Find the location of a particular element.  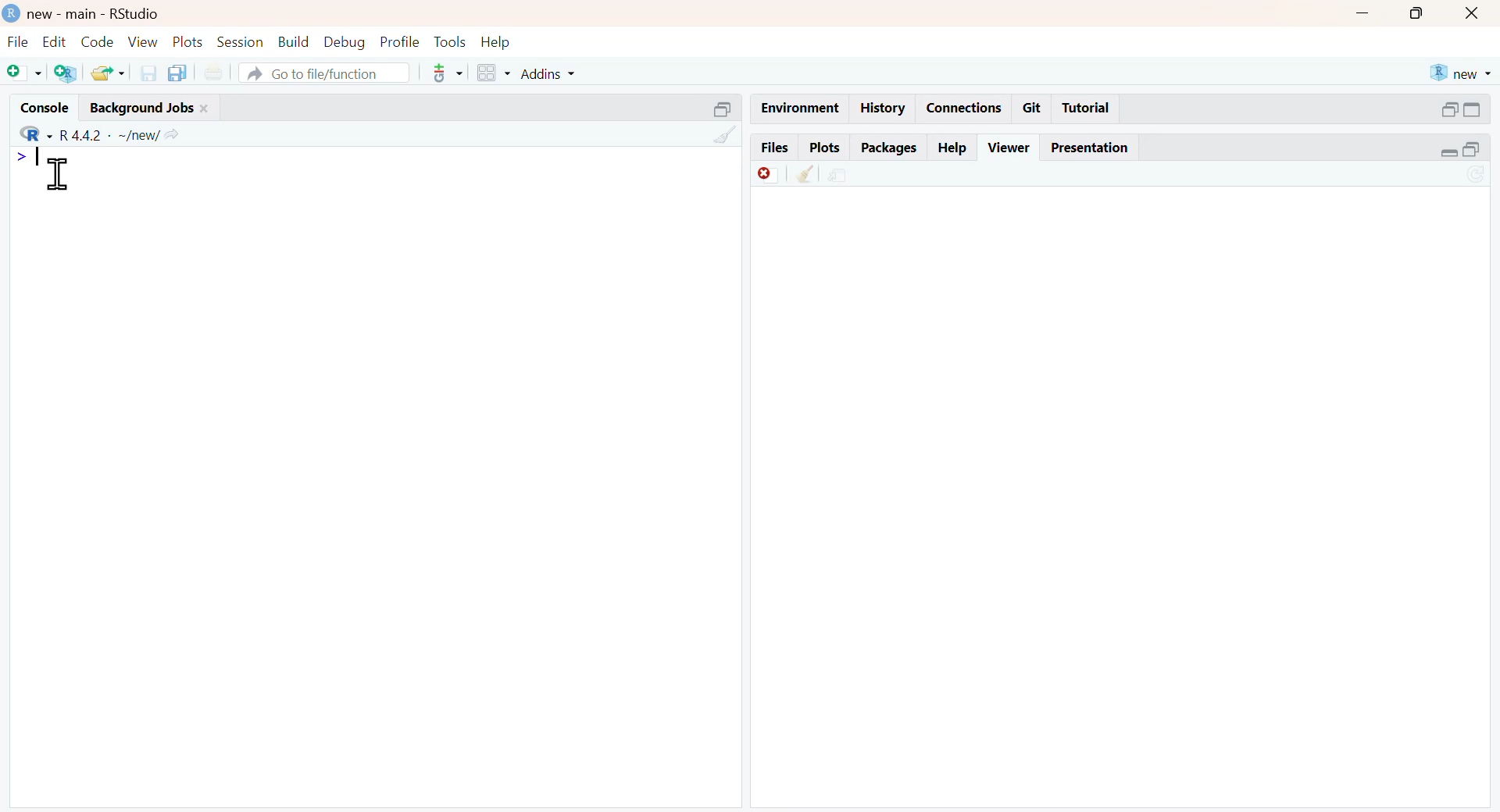

share folder as is located at coordinates (108, 73).